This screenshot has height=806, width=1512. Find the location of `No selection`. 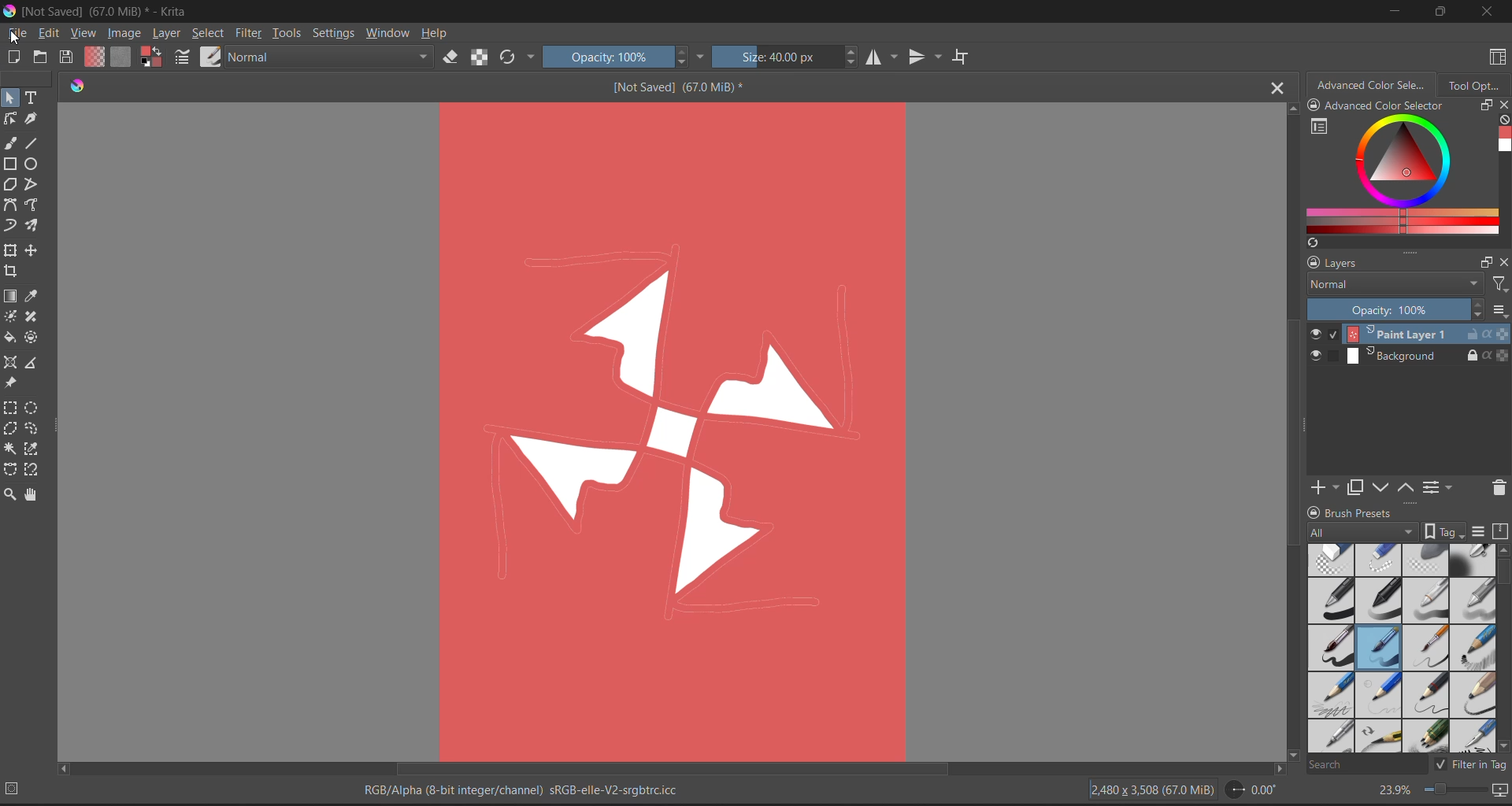

No selection is located at coordinates (17, 789).